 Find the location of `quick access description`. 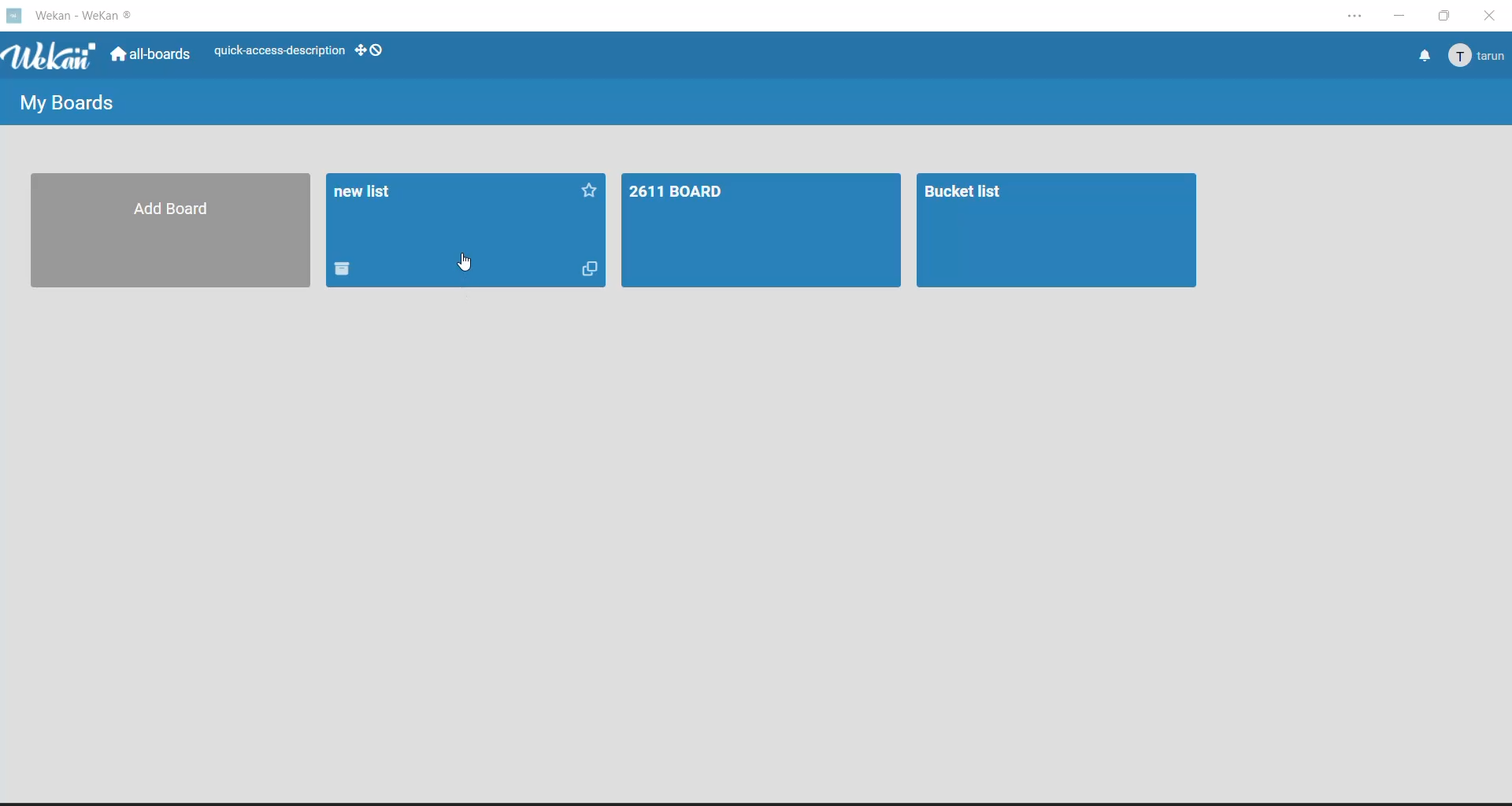

quick access description is located at coordinates (279, 54).